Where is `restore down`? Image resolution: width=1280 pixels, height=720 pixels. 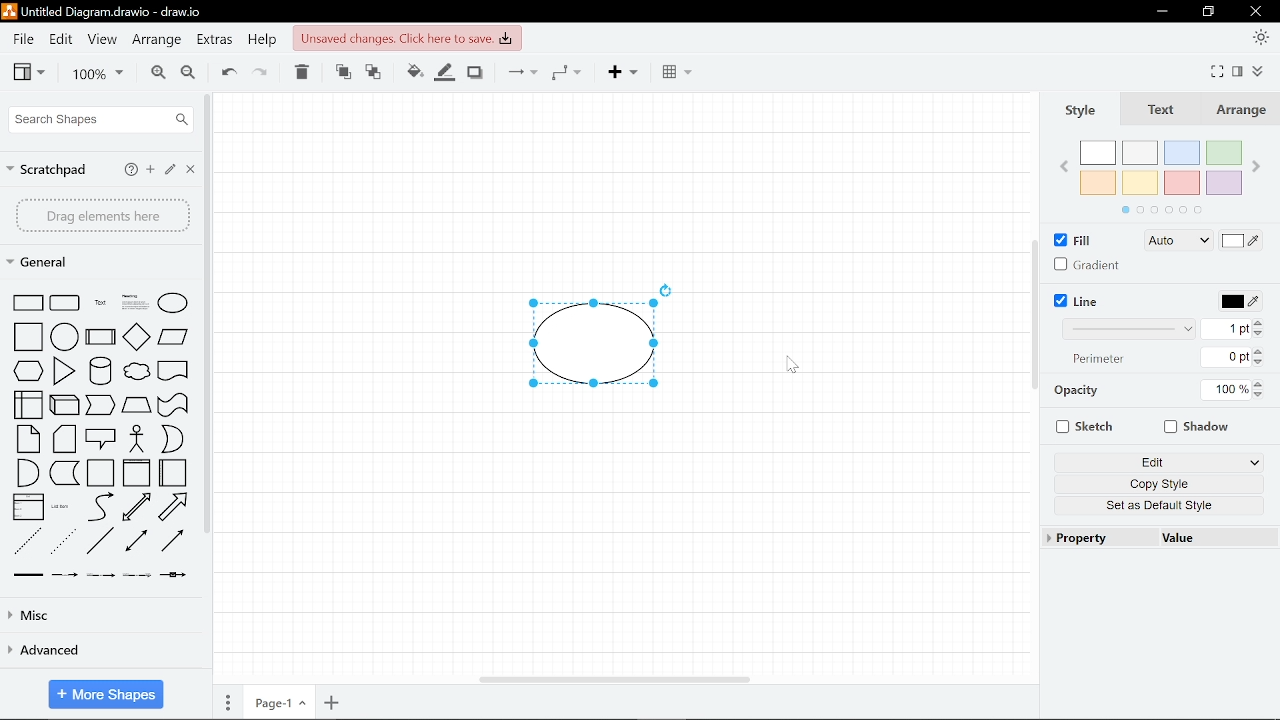
restore down is located at coordinates (1208, 12).